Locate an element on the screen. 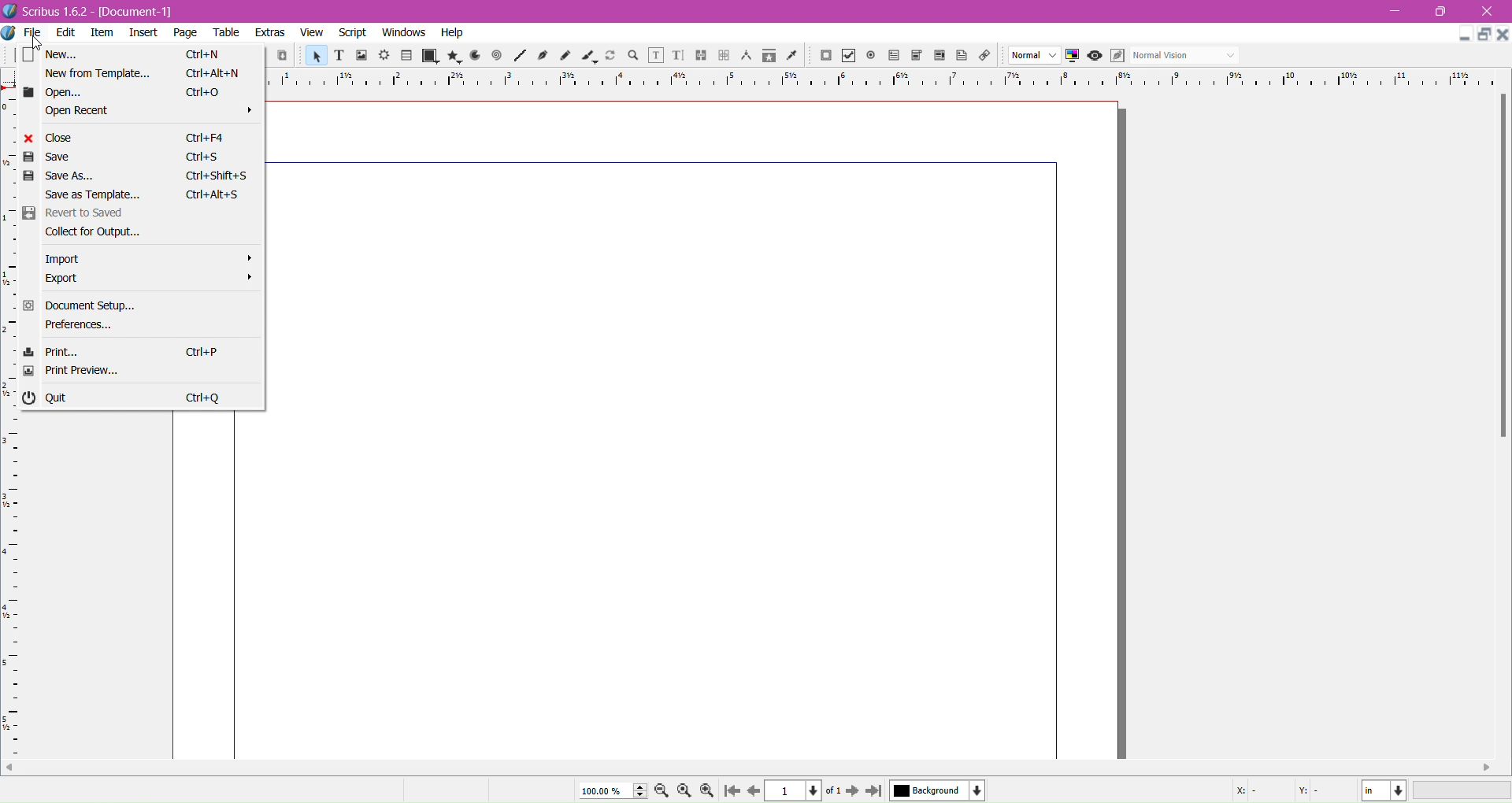  Bezier Curve is located at coordinates (543, 57).